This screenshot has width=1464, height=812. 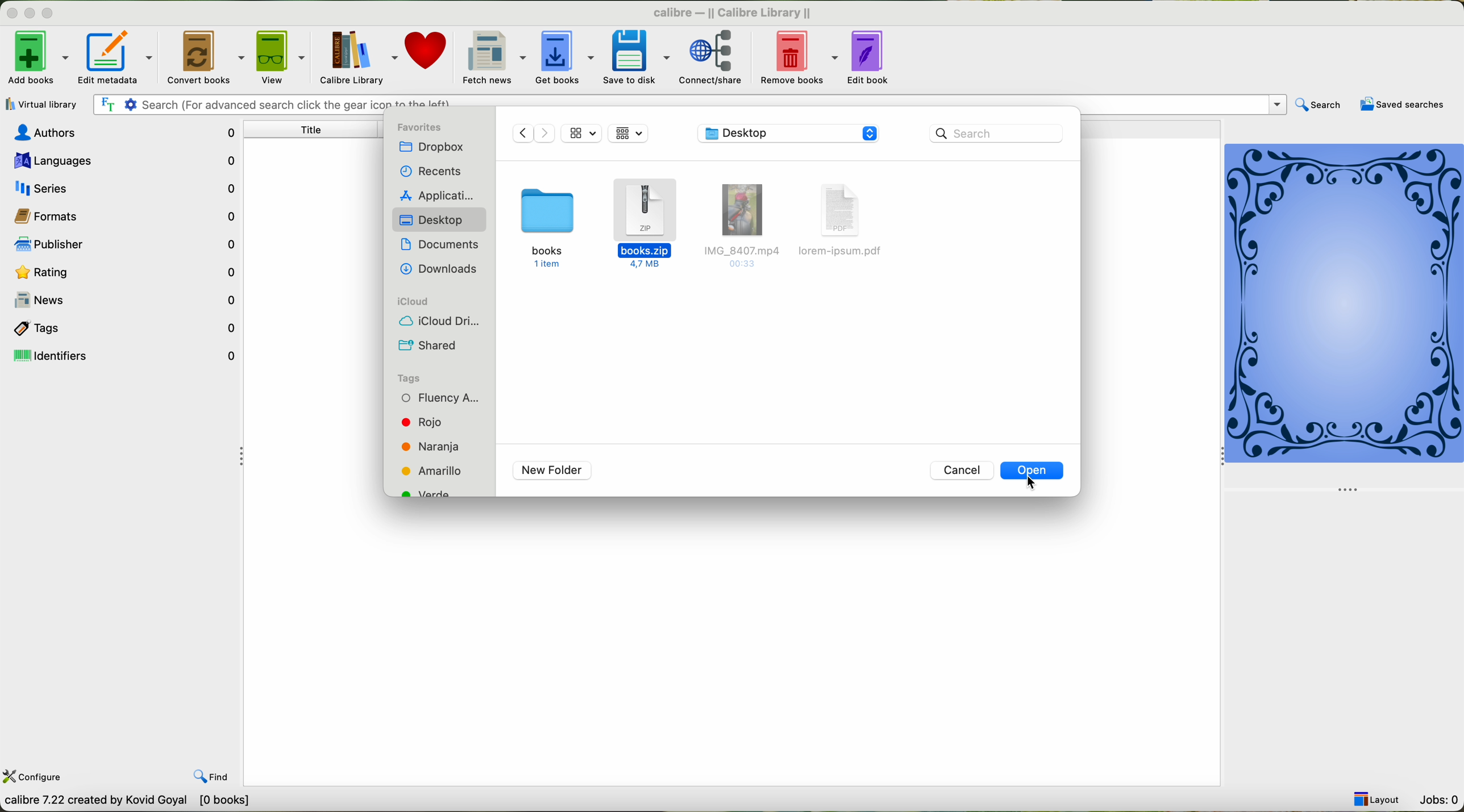 What do you see at coordinates (41, 104) in the screenshot?
I see `virtual library` at bounding box center [41, 104].